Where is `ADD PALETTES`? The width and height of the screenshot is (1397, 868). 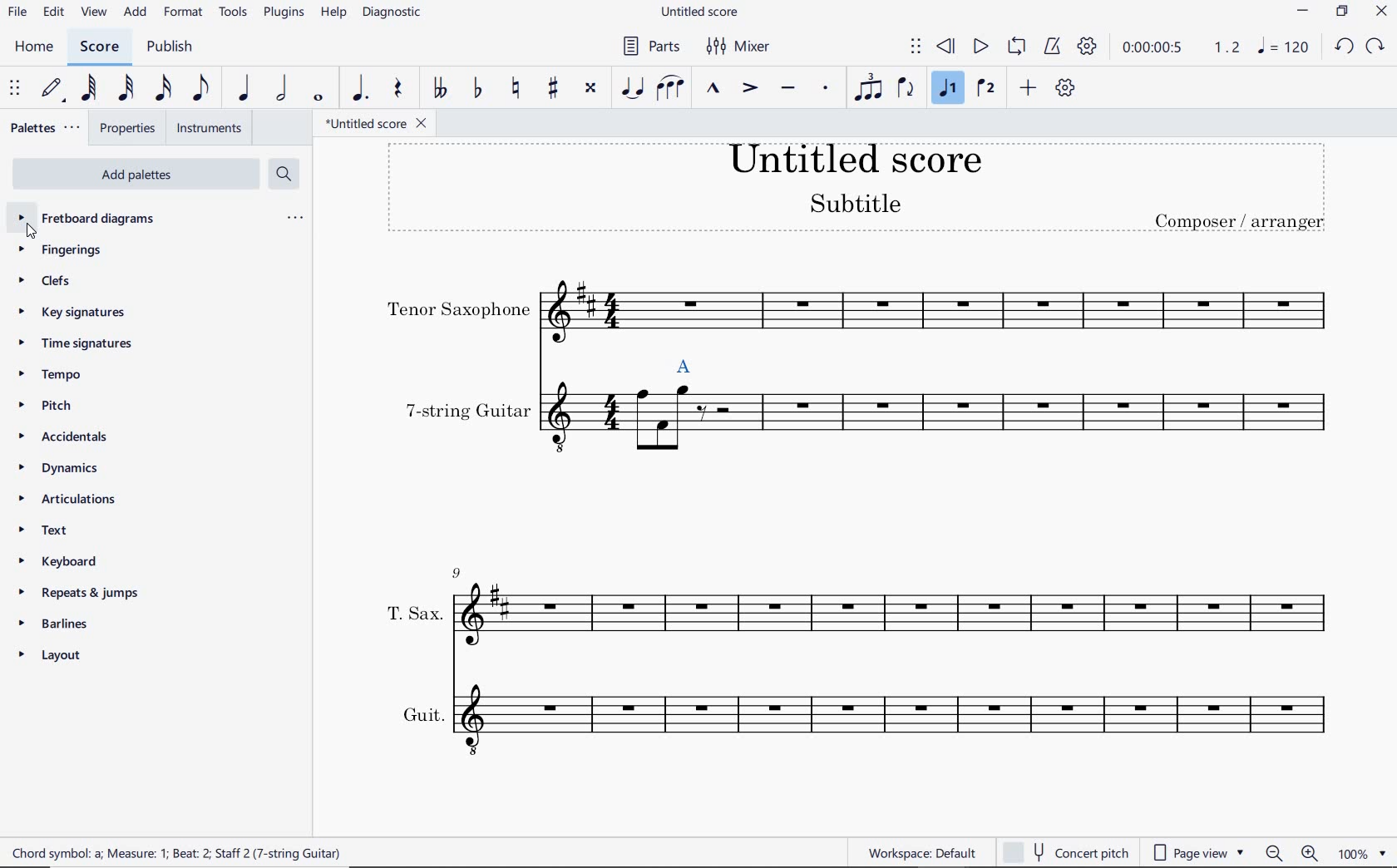
ADD PALETTES is located at coordinates (136, 172).